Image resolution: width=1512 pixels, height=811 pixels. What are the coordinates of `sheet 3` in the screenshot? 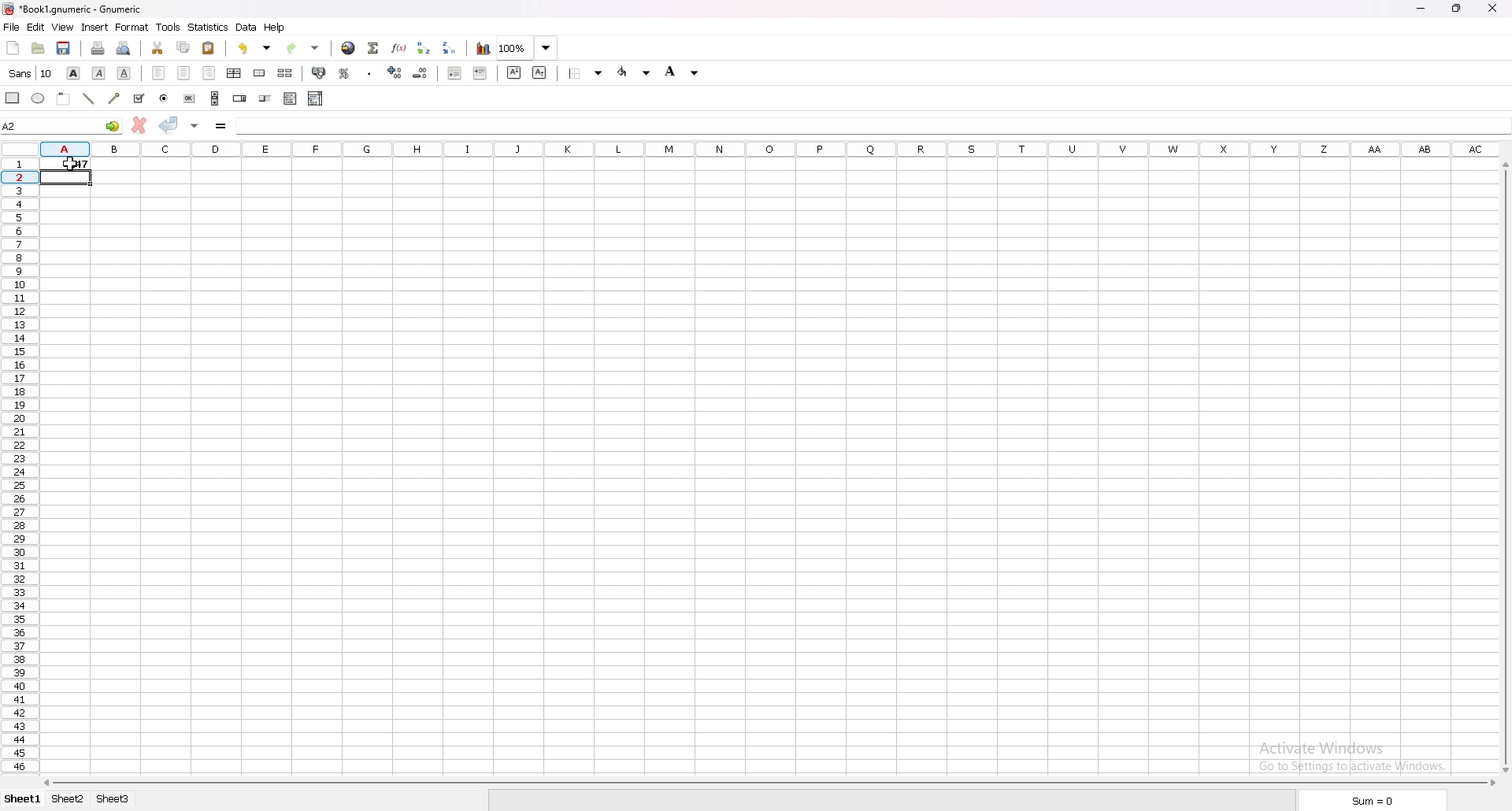 It's located at (114, 799).